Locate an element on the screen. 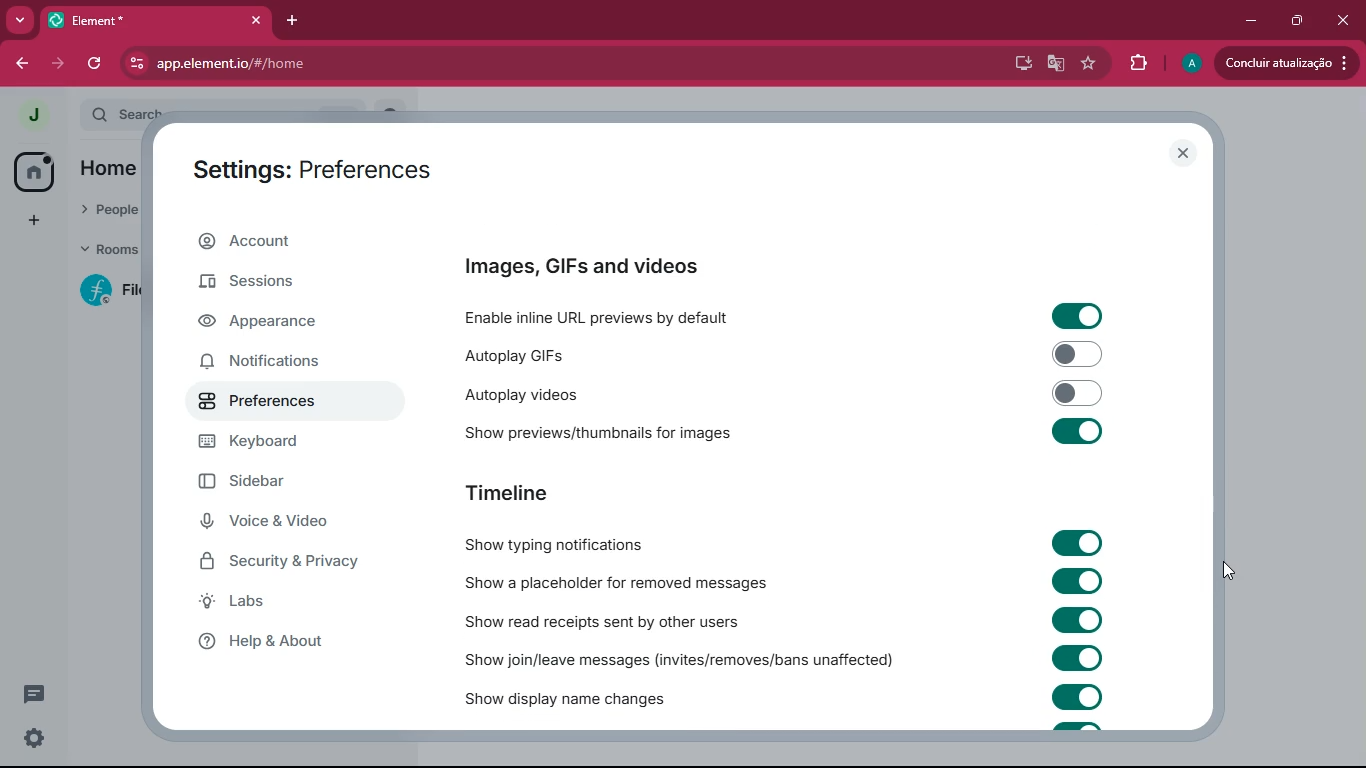 The width and height of the screenshot is (1366, 768). show display name changed is located at coordinates (575, 697).